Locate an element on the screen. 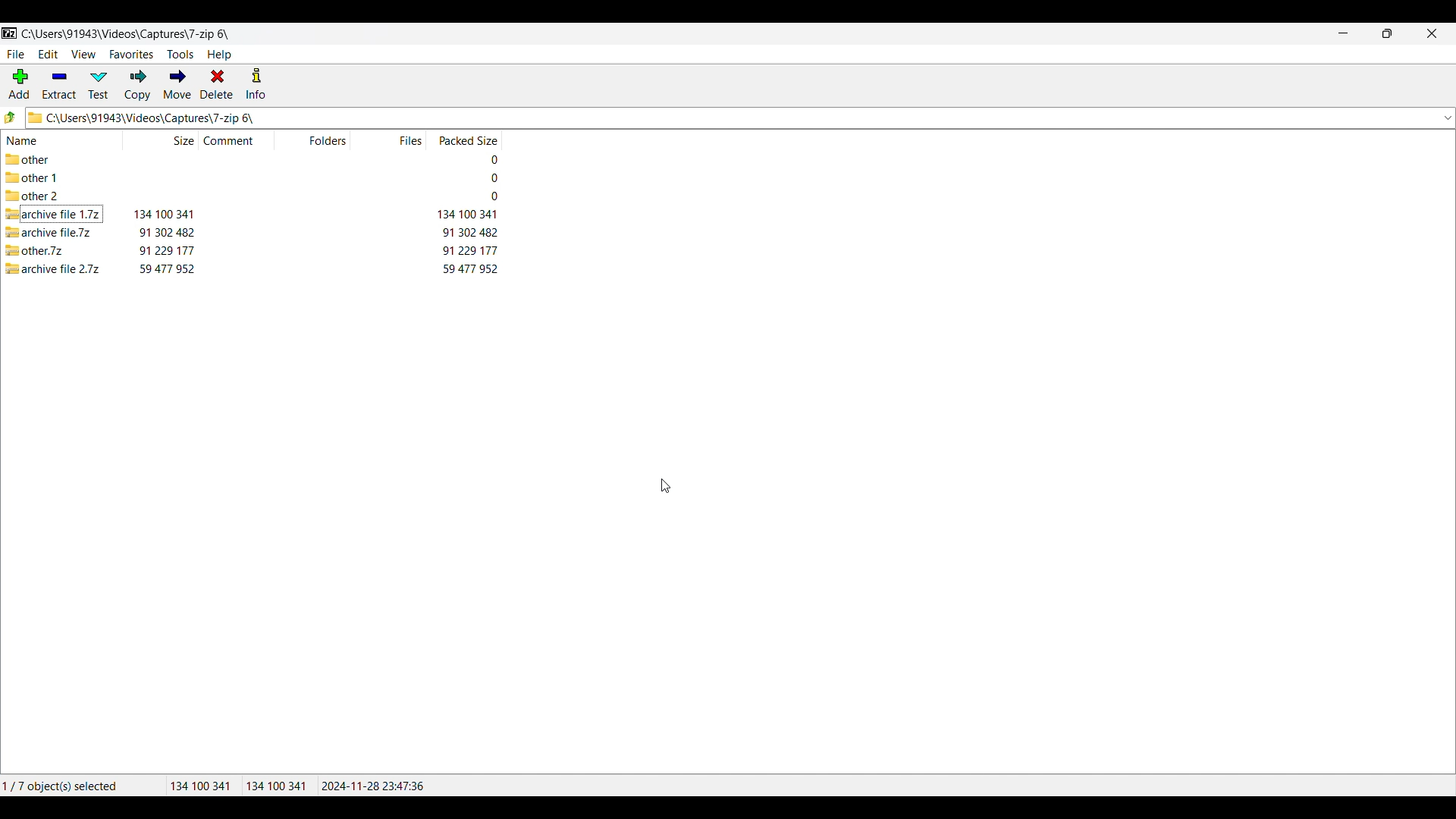 This screenshot has height=819, width=1456. 134100 341 is located at coordinates (200, 786).